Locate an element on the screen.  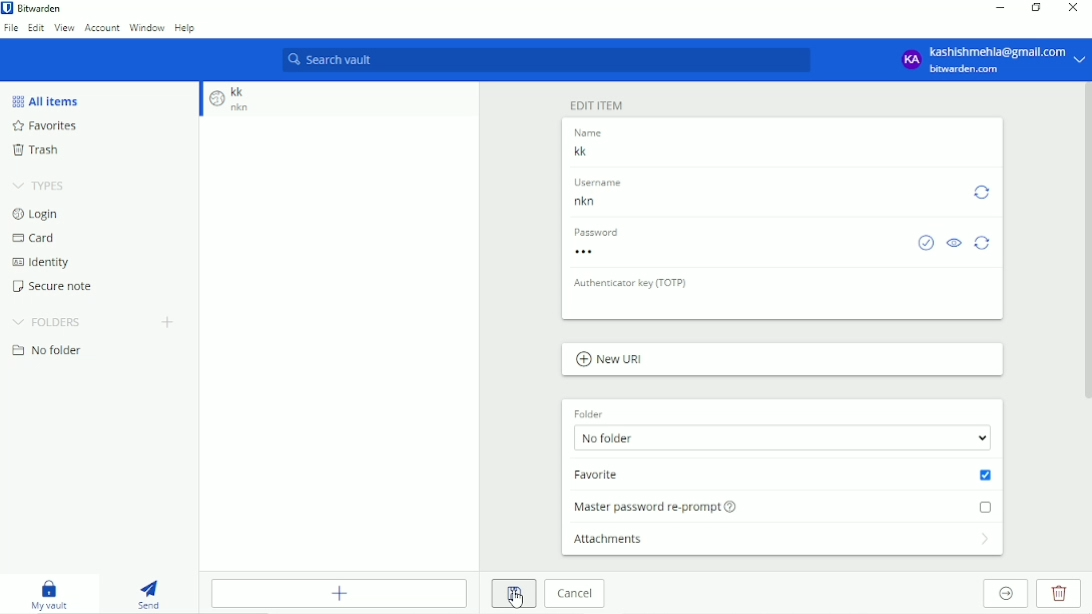
Restore down is located at coordinates (1038, 8).